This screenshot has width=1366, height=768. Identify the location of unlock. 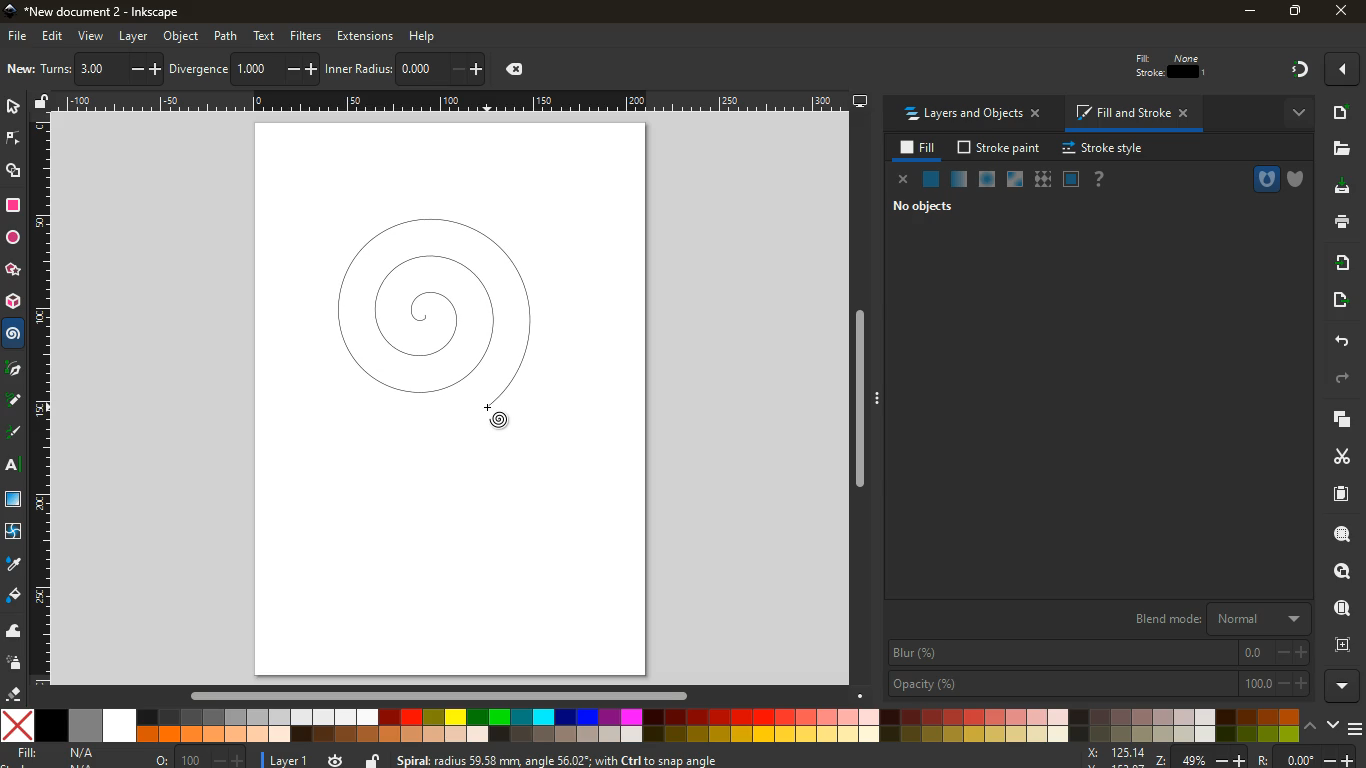
(38, 104).